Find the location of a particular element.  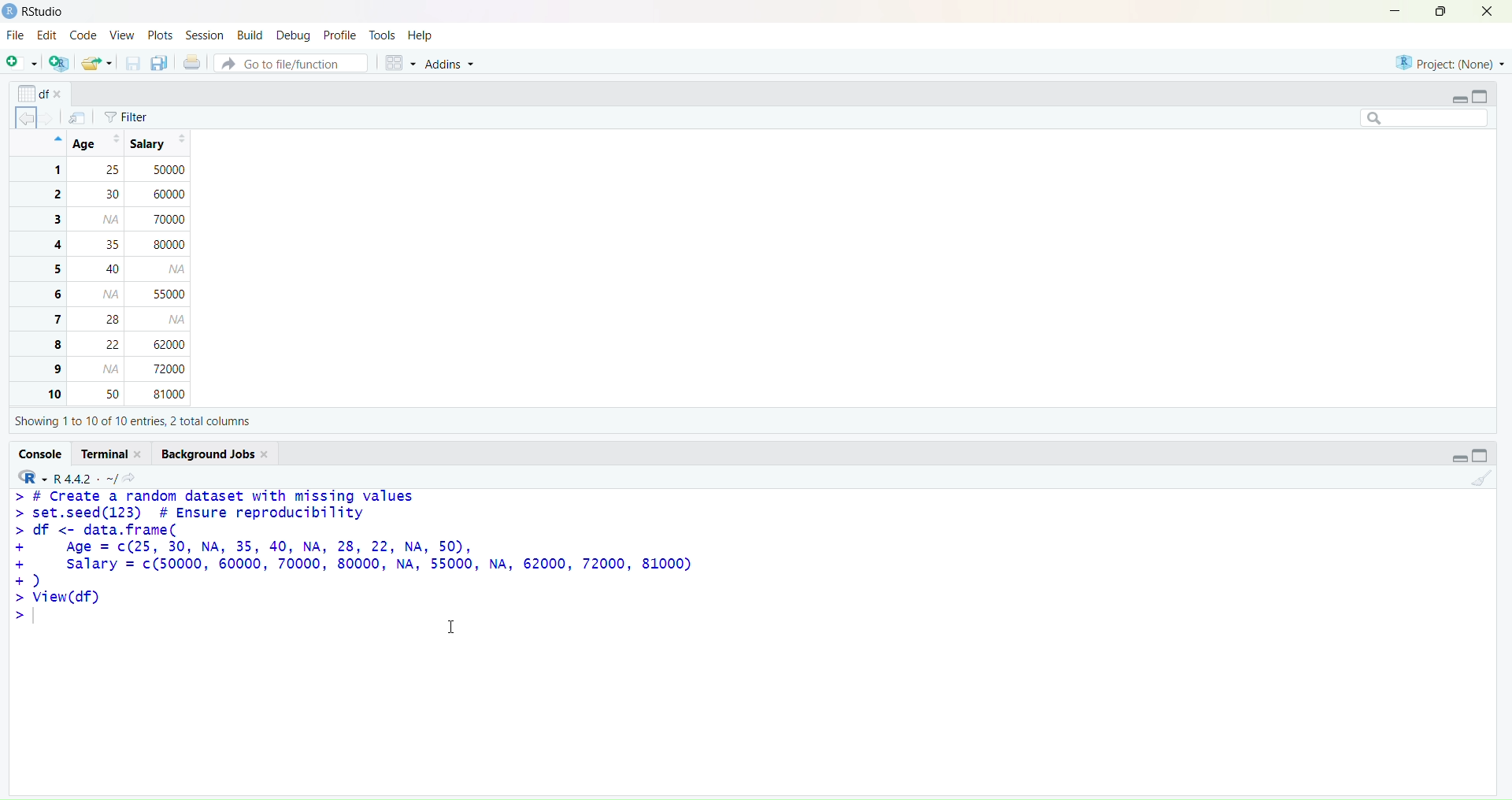

expand is located at coordinates (1459, 98).